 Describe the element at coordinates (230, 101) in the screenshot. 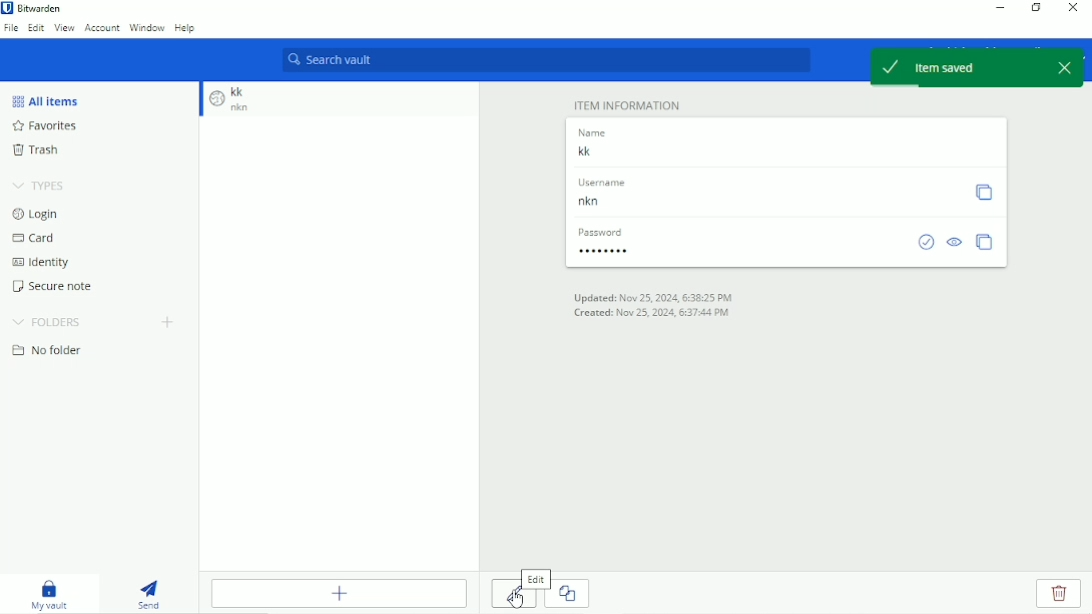

I see `Item` at that location.